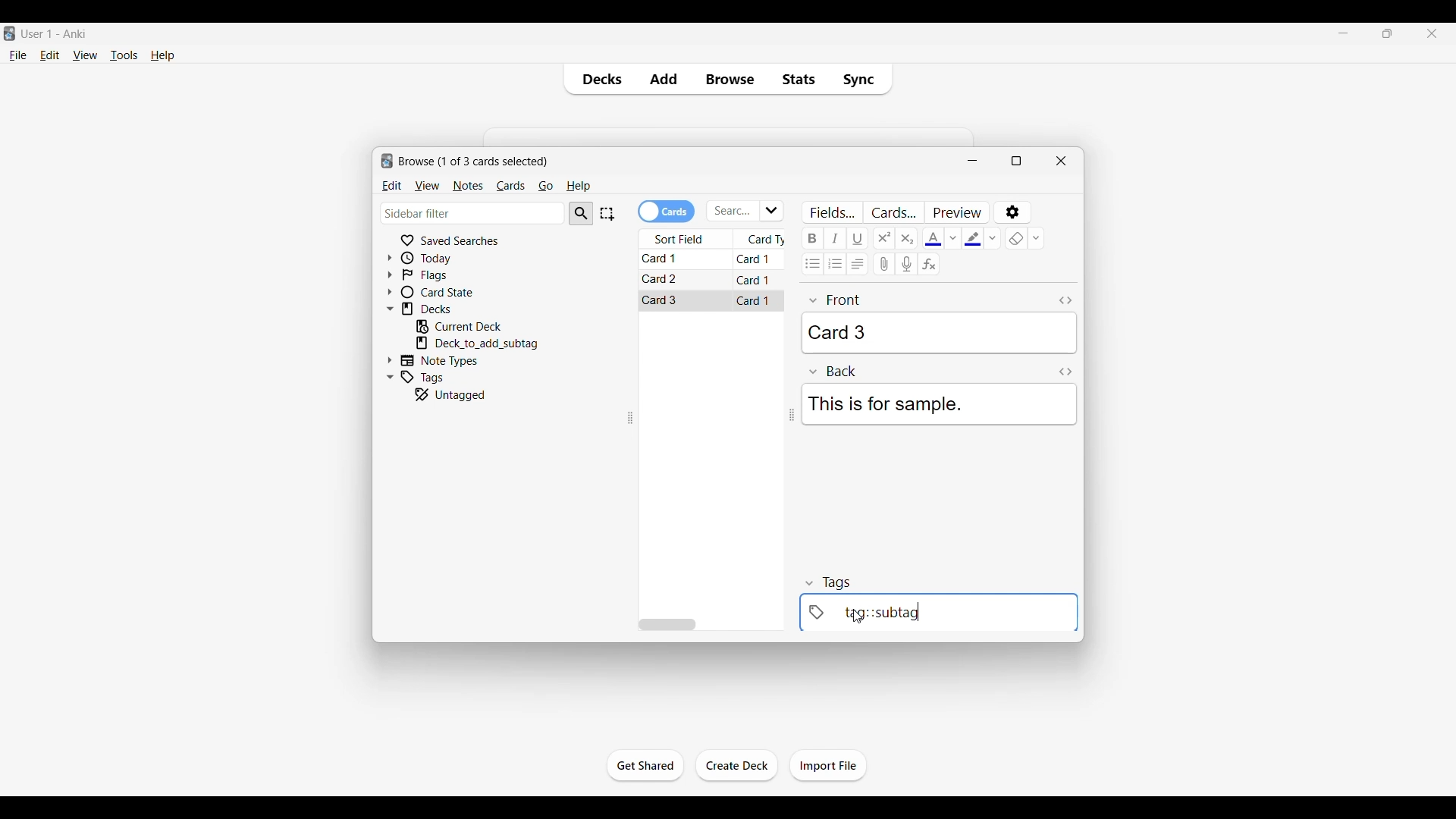 The height and width of the screenshot is (819, 1456). What do you see at coordinates (663, 279) in the screenshot?
I see `Card 2` at bounding box center [663, 279].